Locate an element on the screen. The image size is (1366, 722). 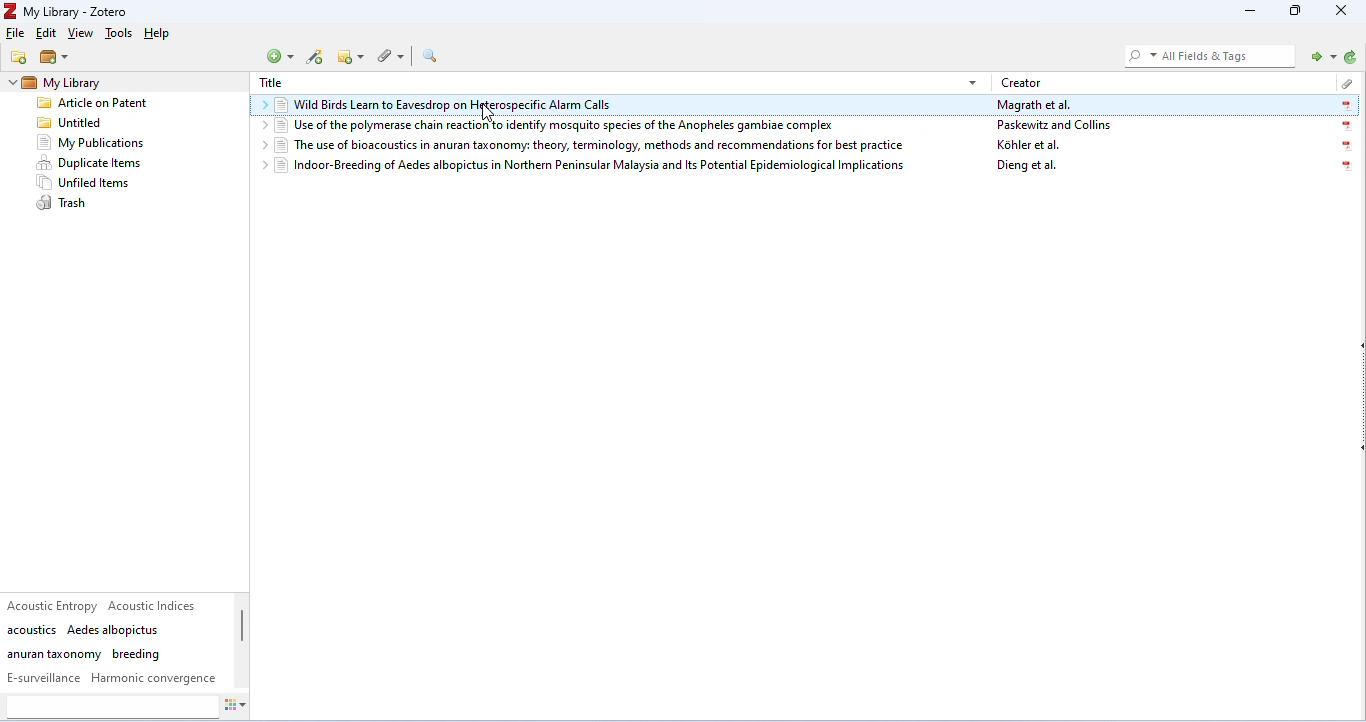
minimize is located at coordinates (1246, 12).